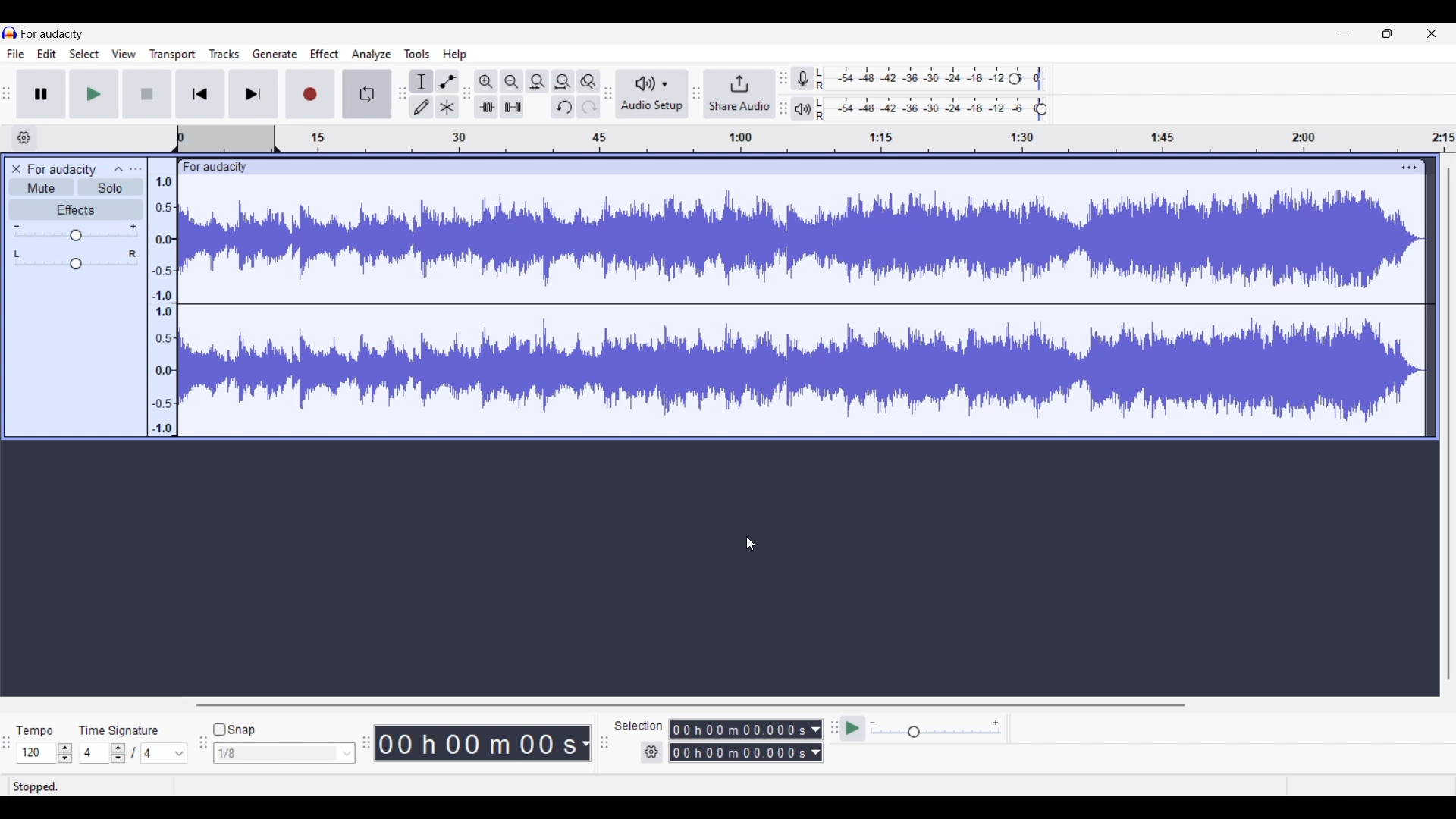 This screenshot has width=1456, height=819. What do you see at coordinates (1408, 167) in the screenshot?
I see `Track settings` at bounding box center [1408, 167].